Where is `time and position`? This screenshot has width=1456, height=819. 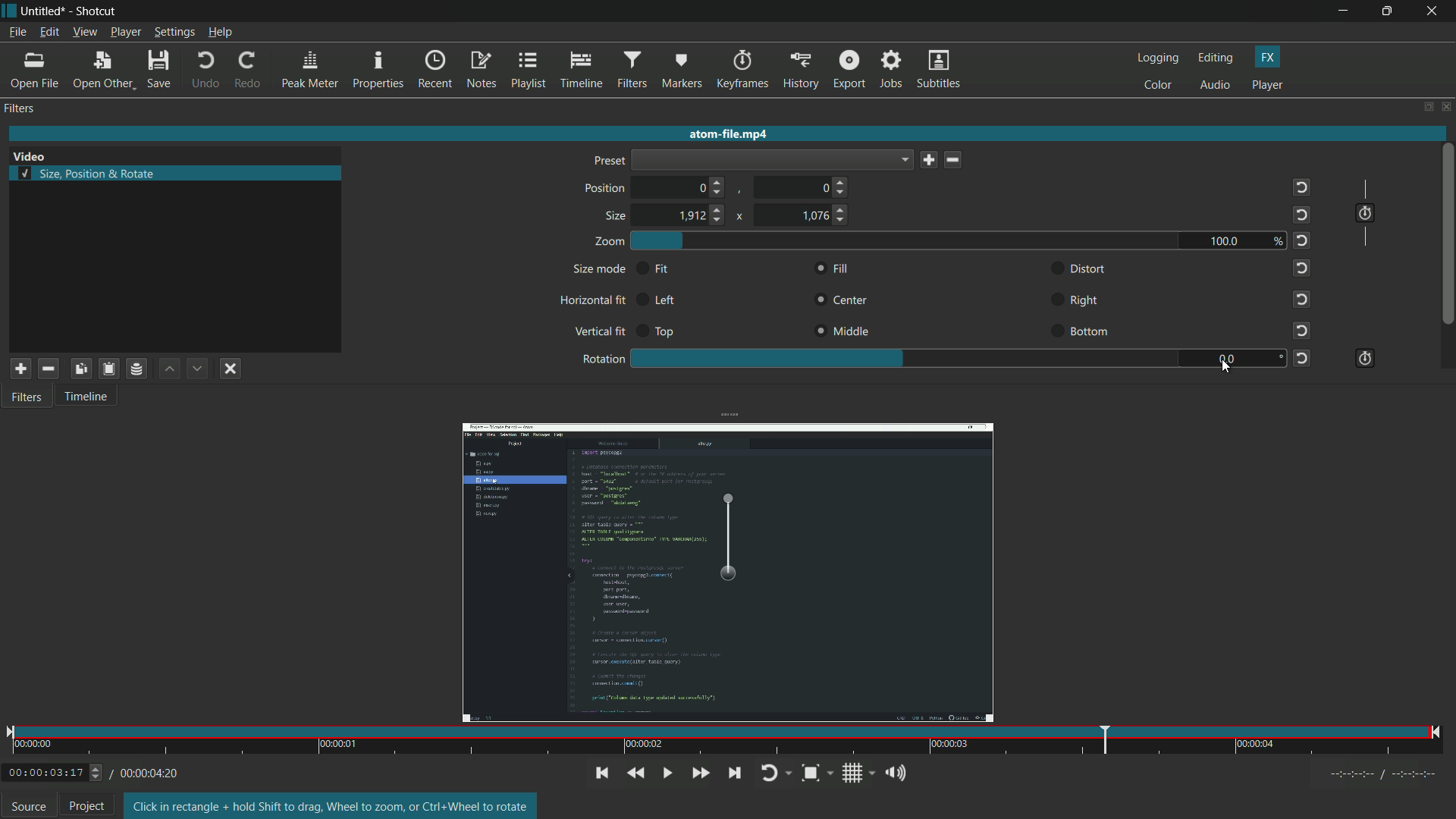
time and position is located at coordinates (725, 741).